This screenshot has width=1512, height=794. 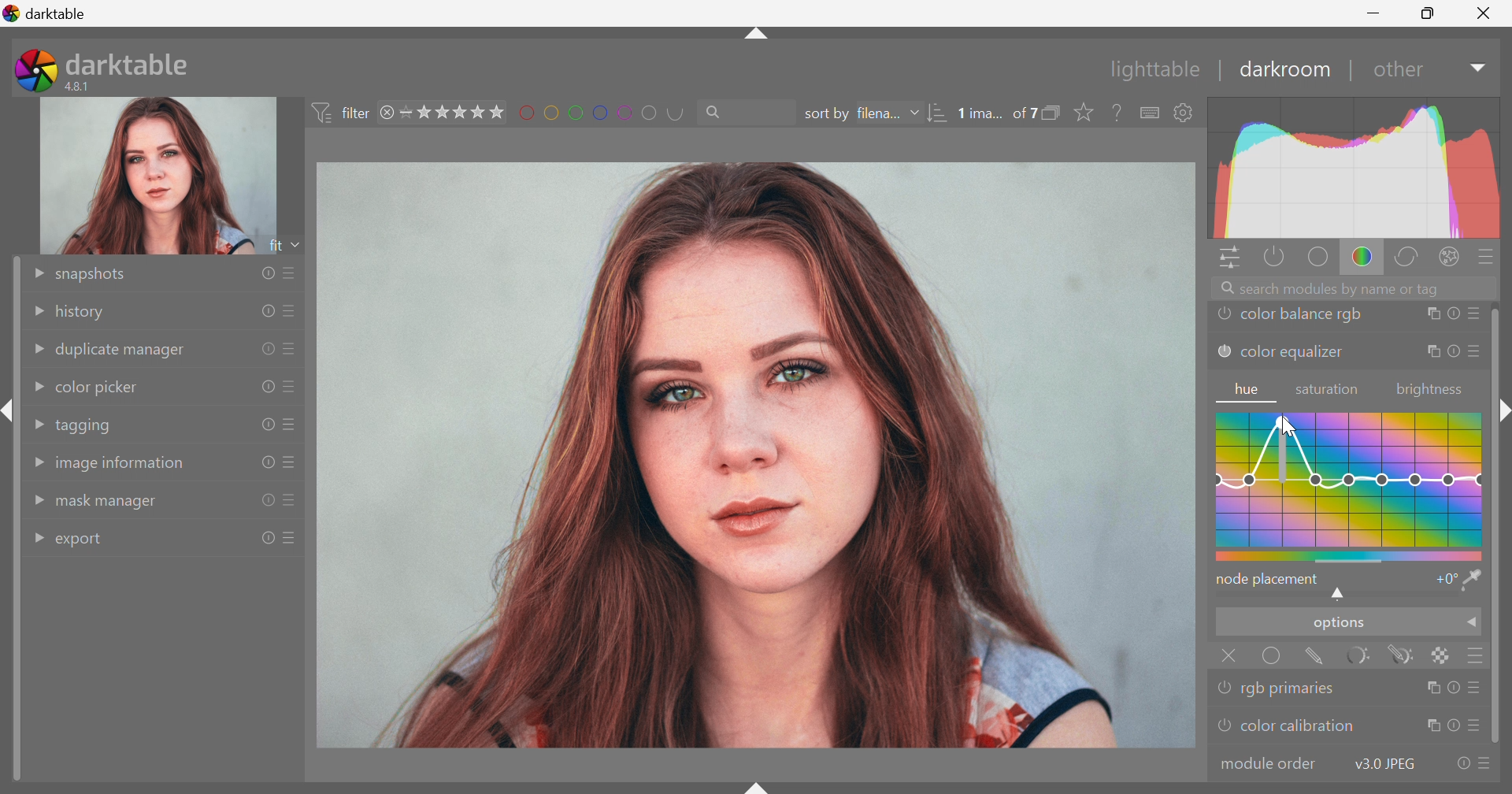 I want to click on Collapse , so click(x=1504, y=411).